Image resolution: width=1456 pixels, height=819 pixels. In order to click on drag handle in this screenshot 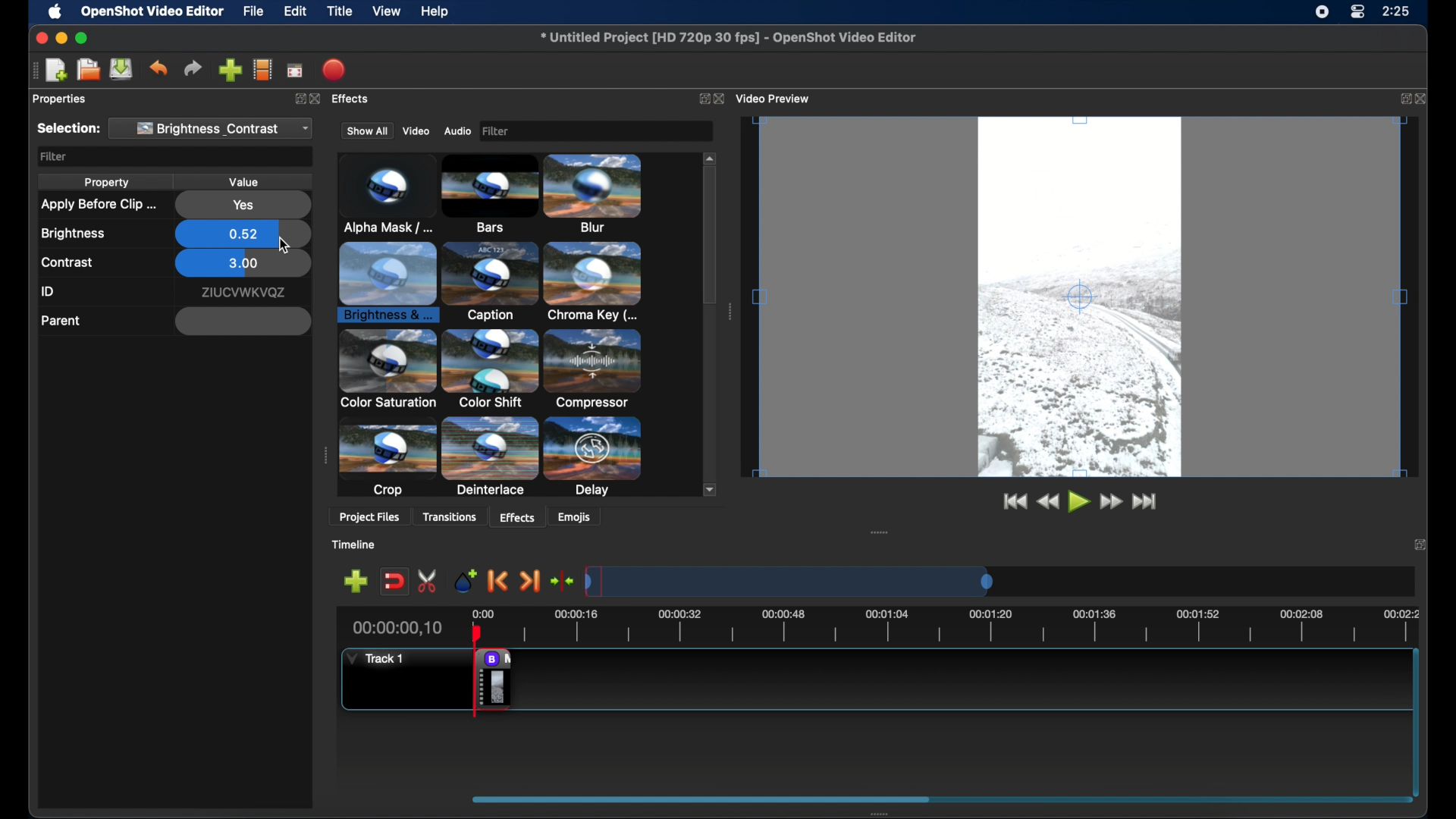, I will do `click(873, 814)`.